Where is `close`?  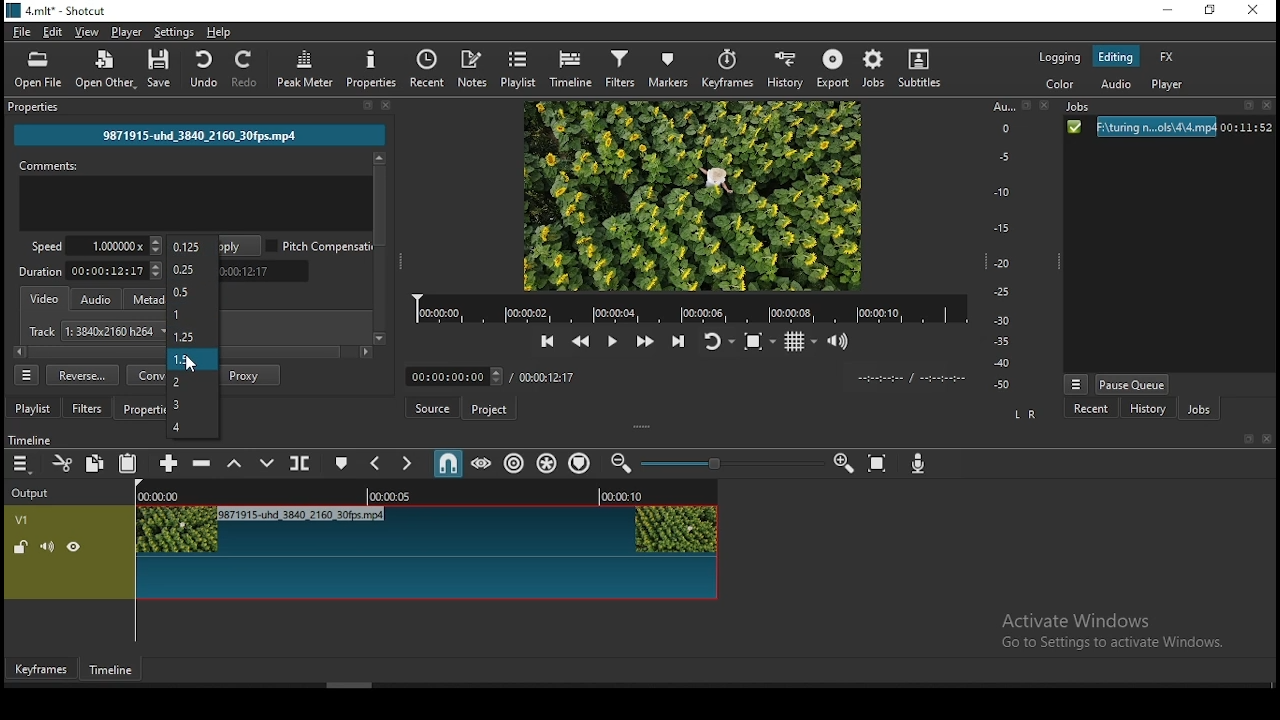 close is located at coordinates (1270, 107).